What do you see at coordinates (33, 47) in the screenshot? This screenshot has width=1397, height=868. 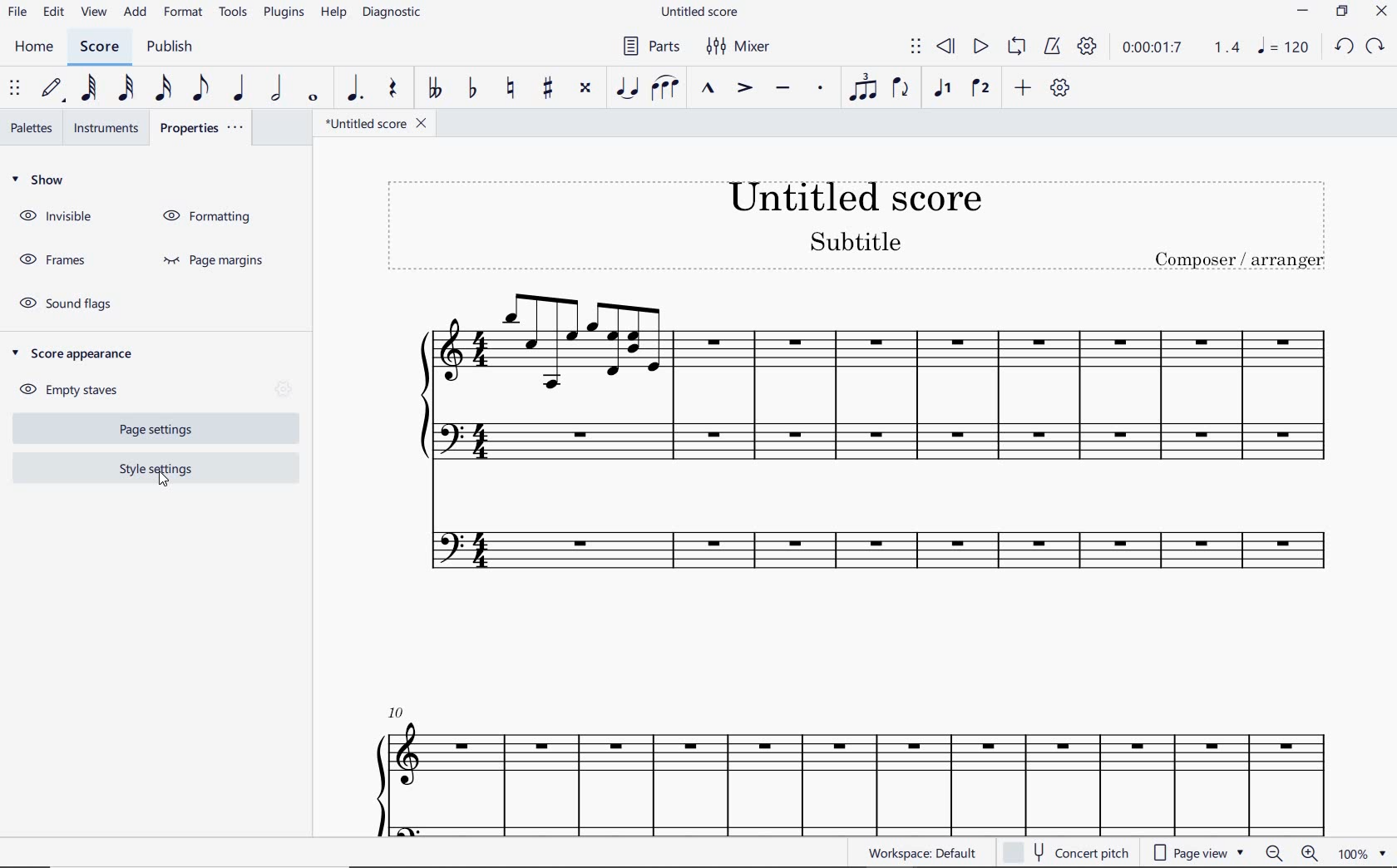 I see `HOME` at bounding box center [33, 47].